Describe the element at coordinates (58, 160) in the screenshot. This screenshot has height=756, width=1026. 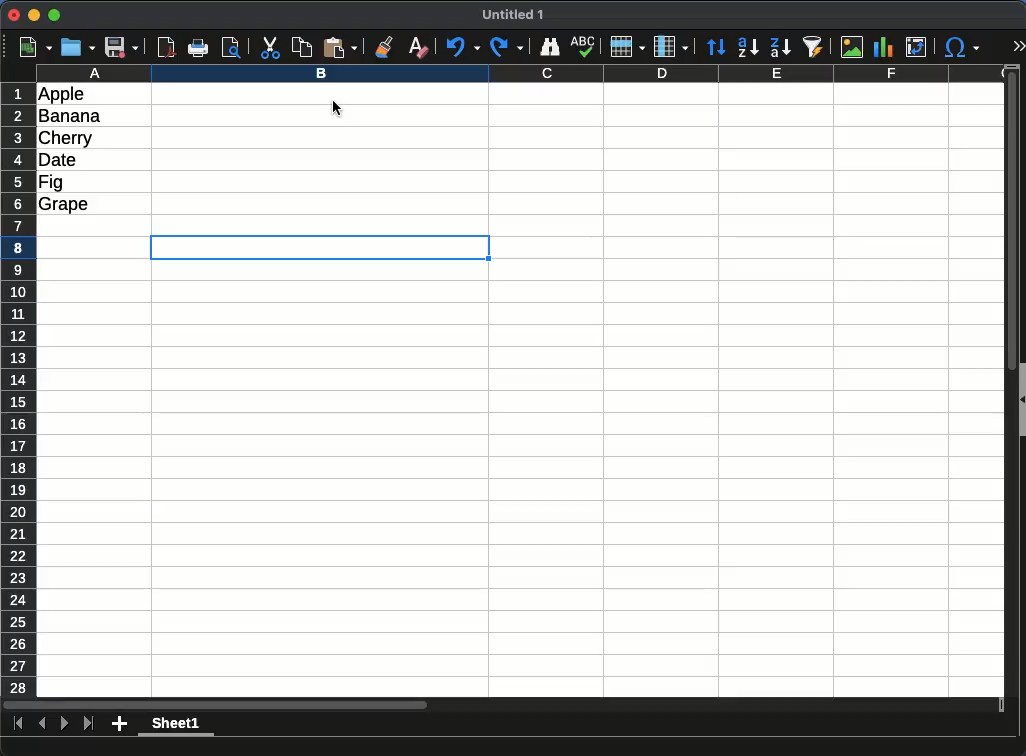
I see `date` at that location.